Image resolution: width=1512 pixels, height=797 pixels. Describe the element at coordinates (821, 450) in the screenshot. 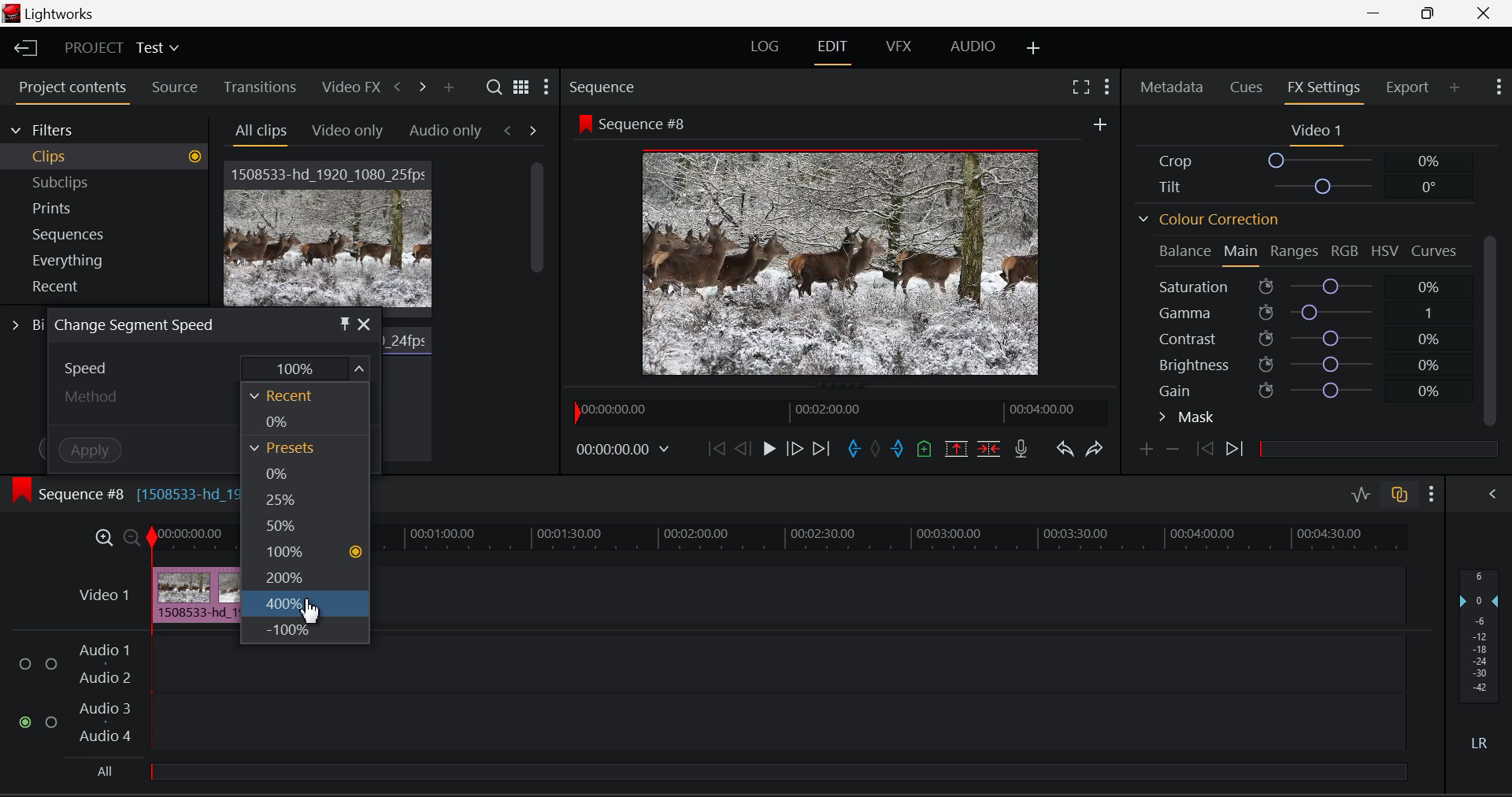

I see `To End` at that location.